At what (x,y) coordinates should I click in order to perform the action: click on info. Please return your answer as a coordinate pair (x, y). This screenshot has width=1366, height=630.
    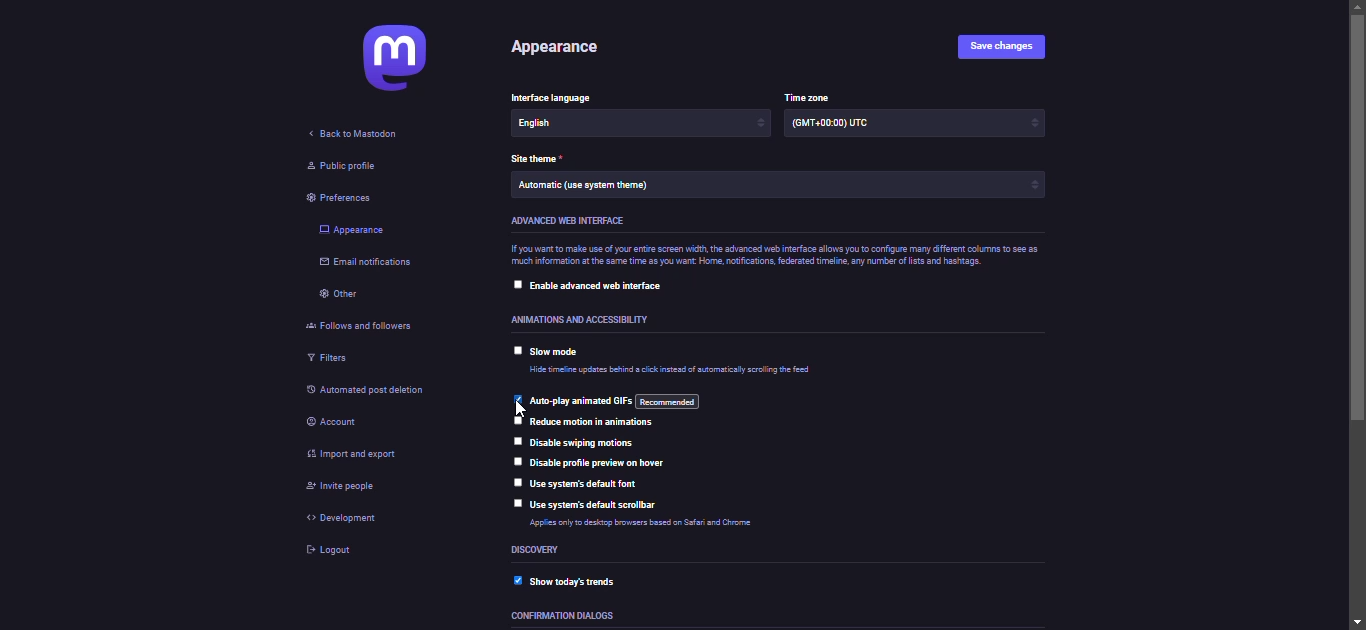
    Looking at the image, I should click on (672, 524).